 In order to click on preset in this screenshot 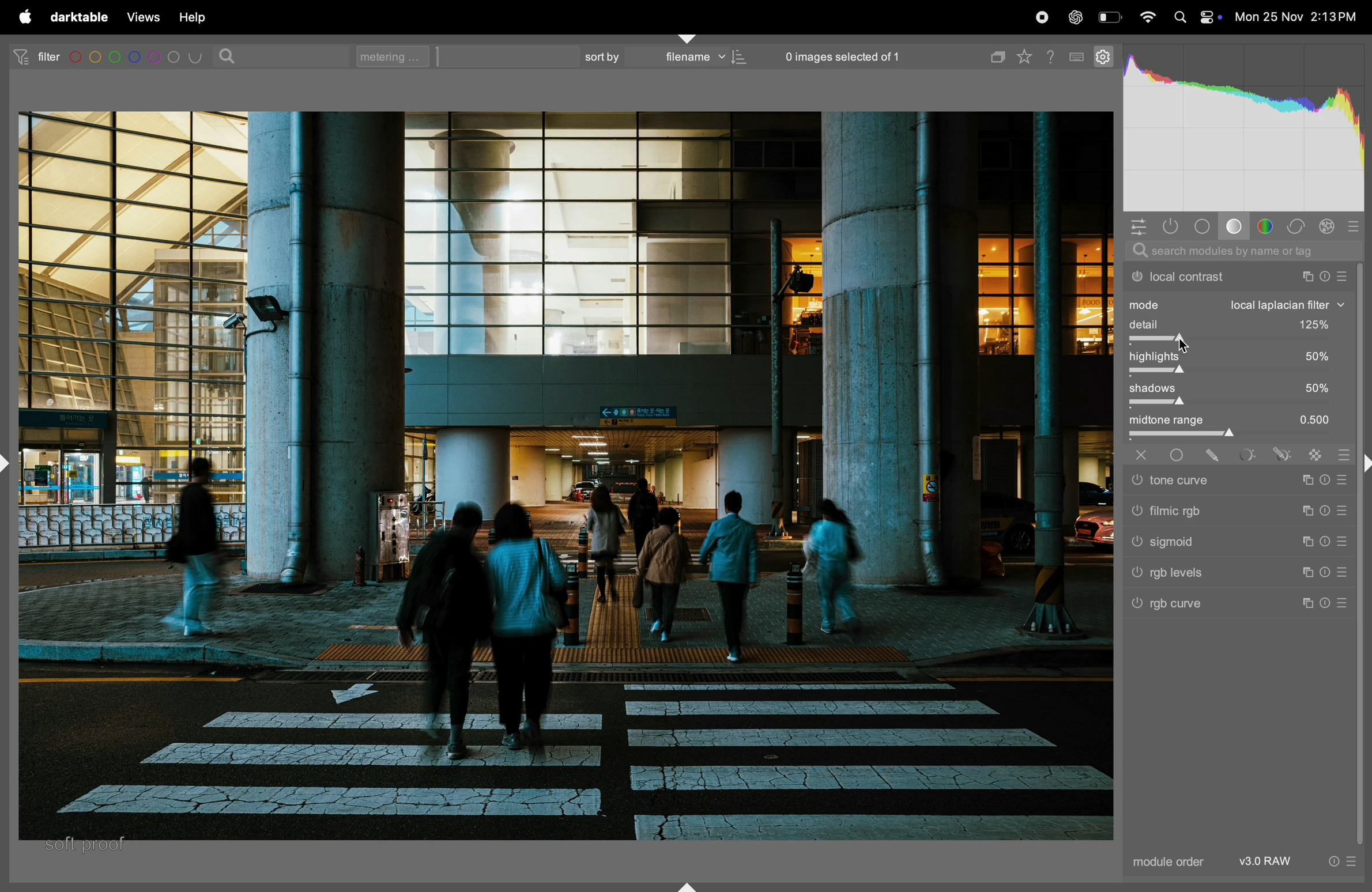, I will do `click(1339, 543)`.